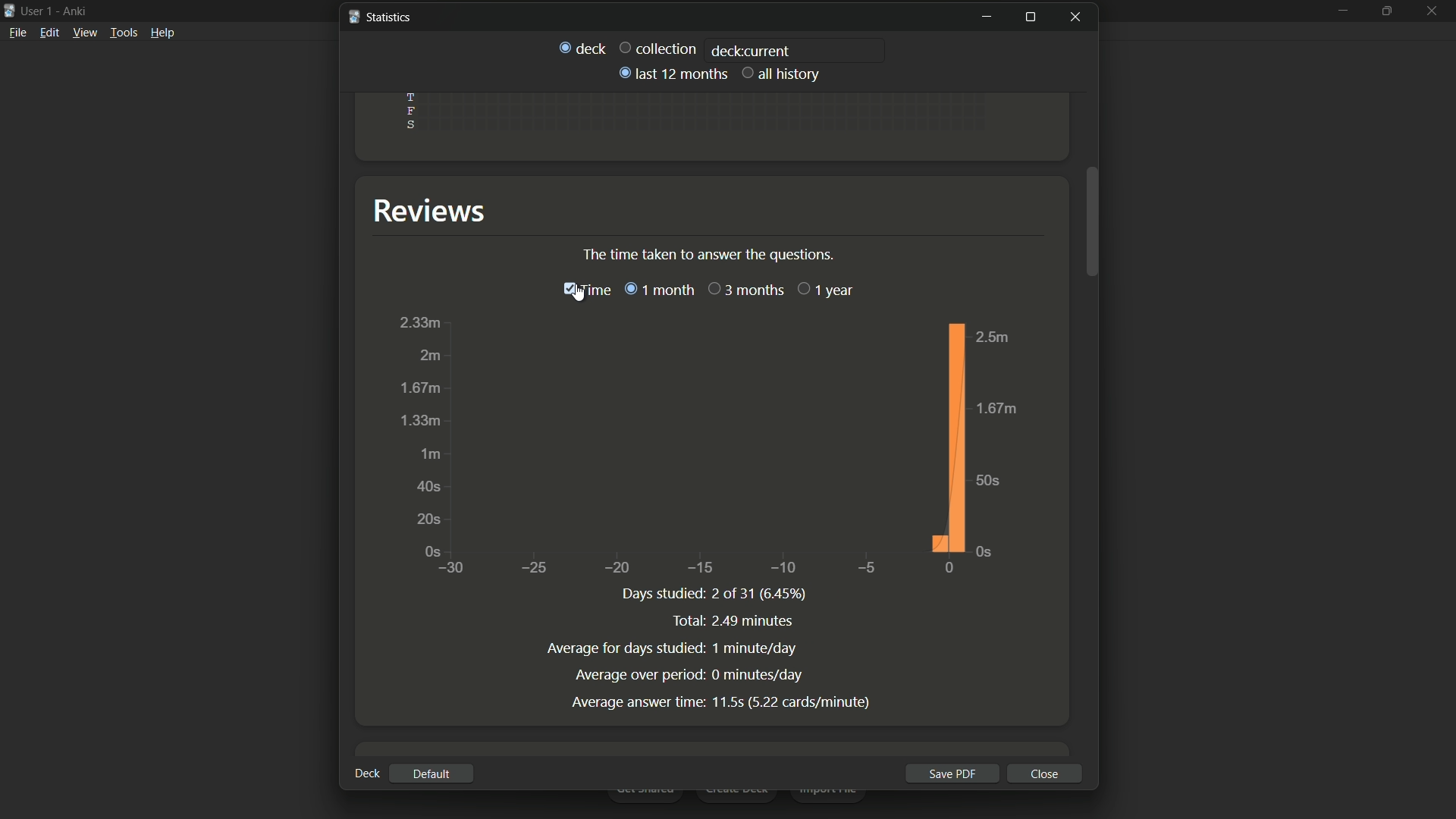 The width and height of the screenshot is (1456, 819). I want to click on 3 months, so click(745, 290).